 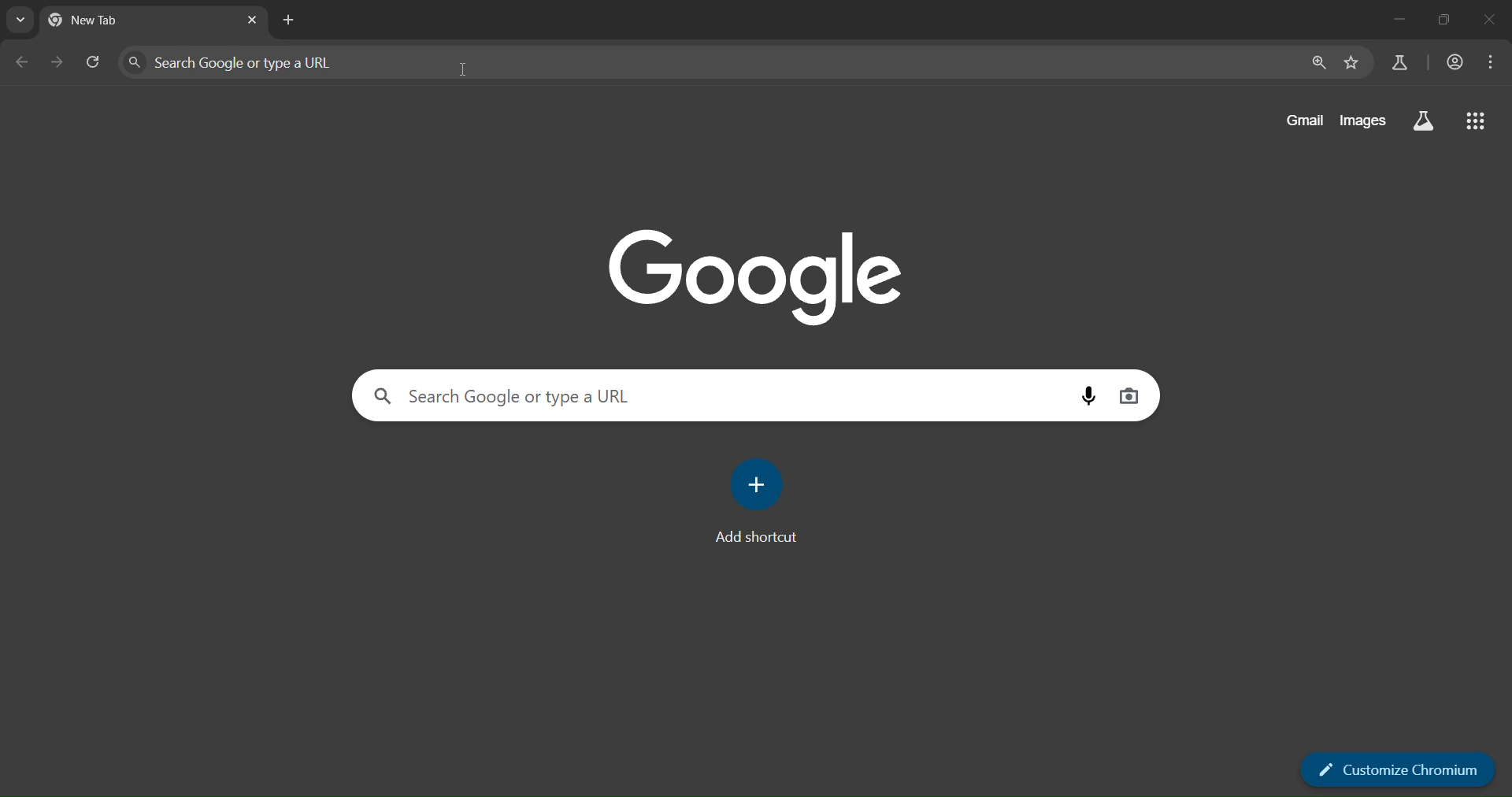 I want to click on restore down, so click(x=1442, y=20).